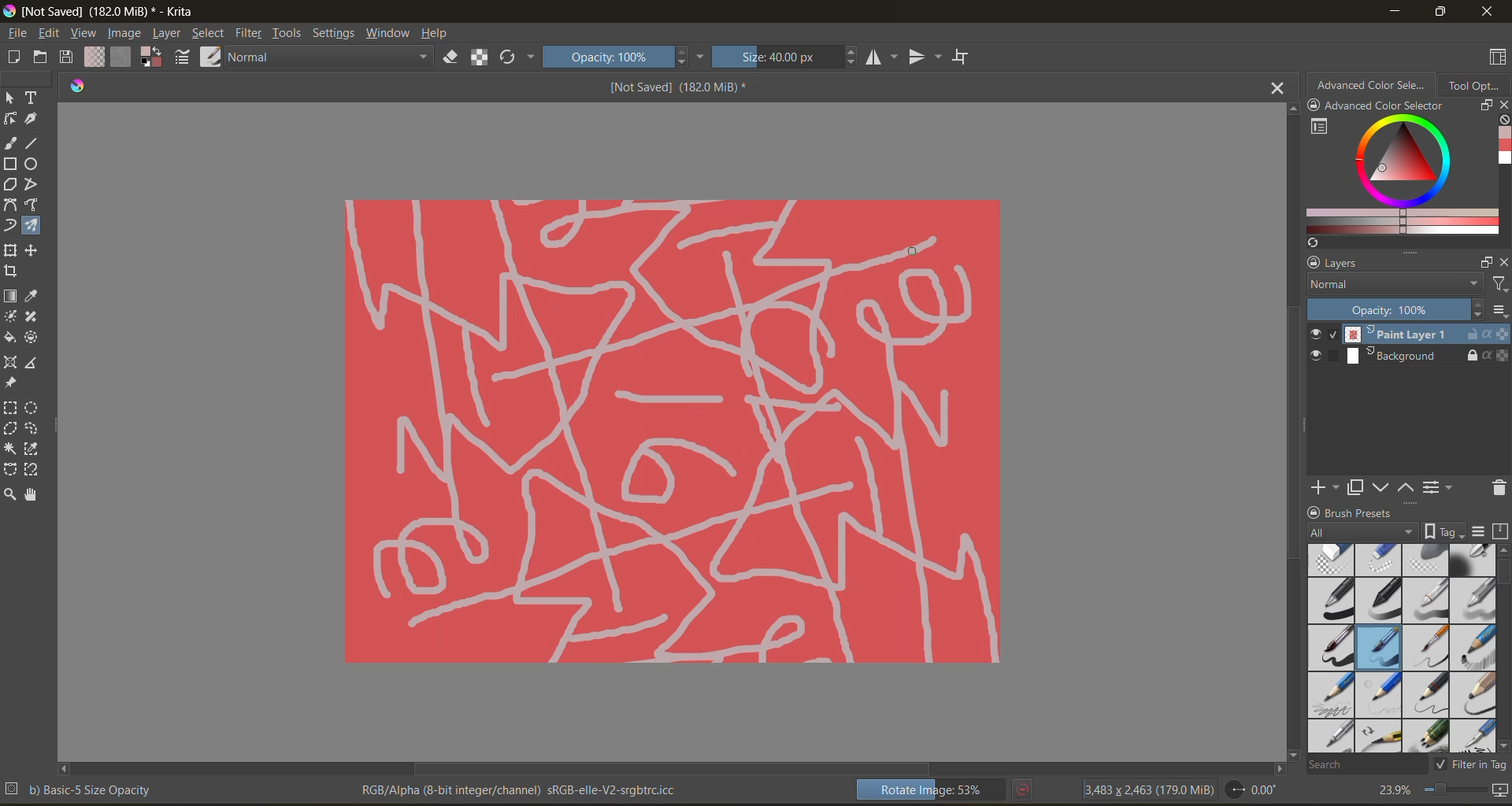 The width and height of the screenshot is (1512, 806). Describe the element at coordinates (1295, 445) in the screenshot. I see `vertical scroll bar` at that location.